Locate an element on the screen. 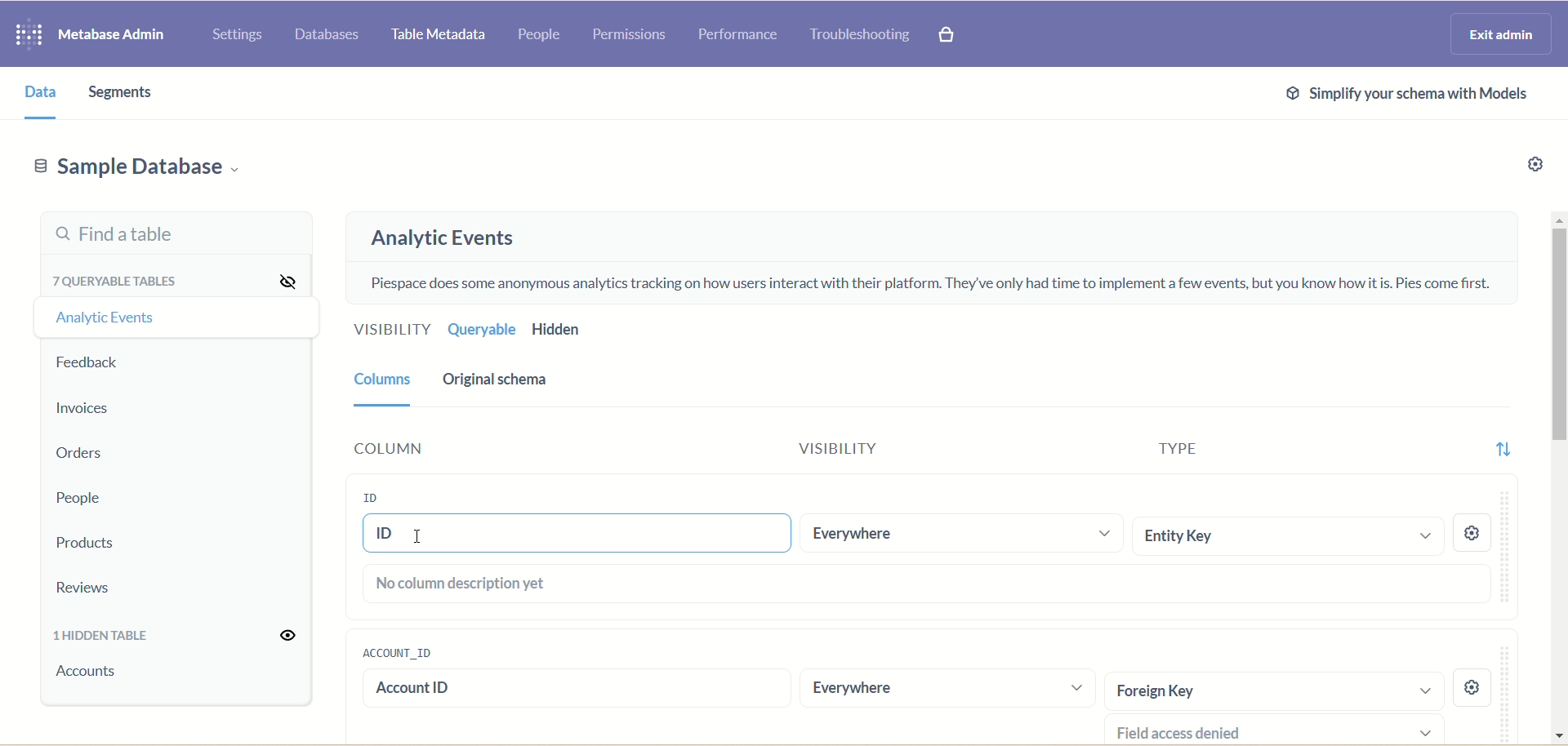 The width and height of the screenshot is (1568, 746). Analytic events is located at coordinates (459, 234).